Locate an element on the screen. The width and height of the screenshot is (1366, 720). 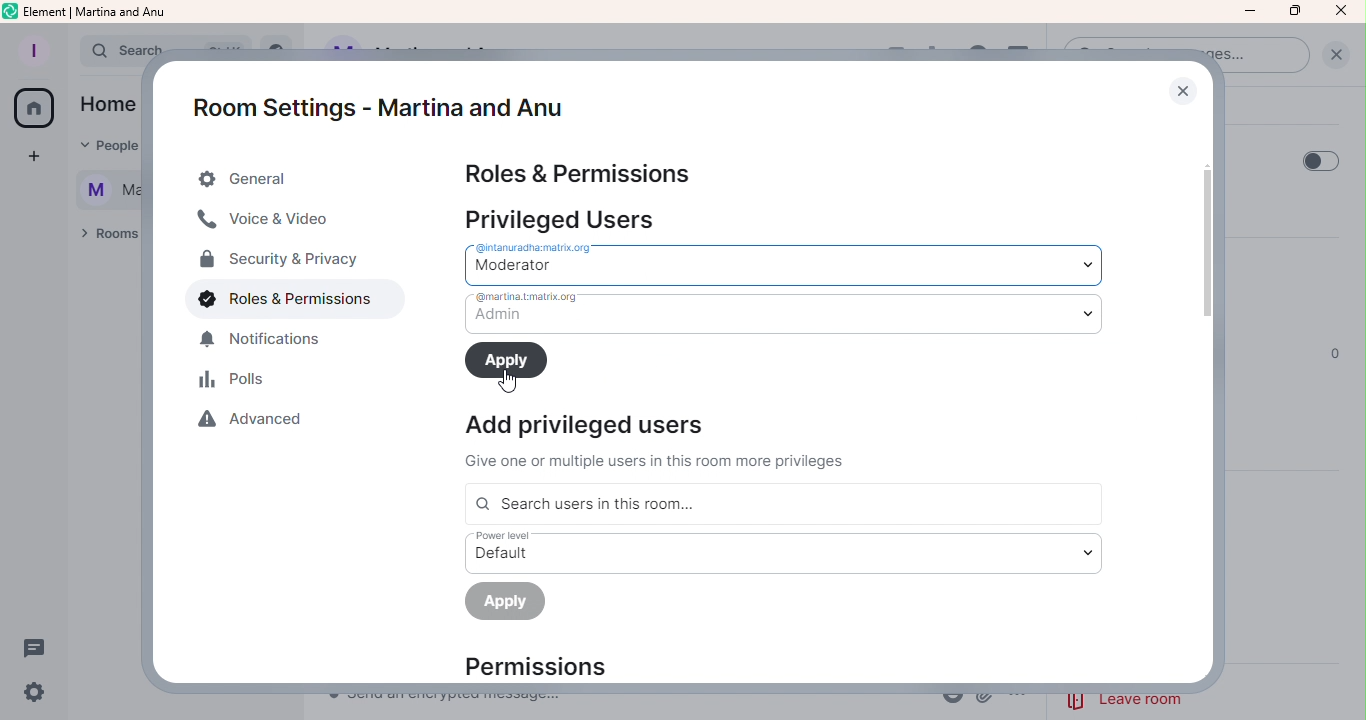
Martina and Anu is located at coordinates (99, 192).